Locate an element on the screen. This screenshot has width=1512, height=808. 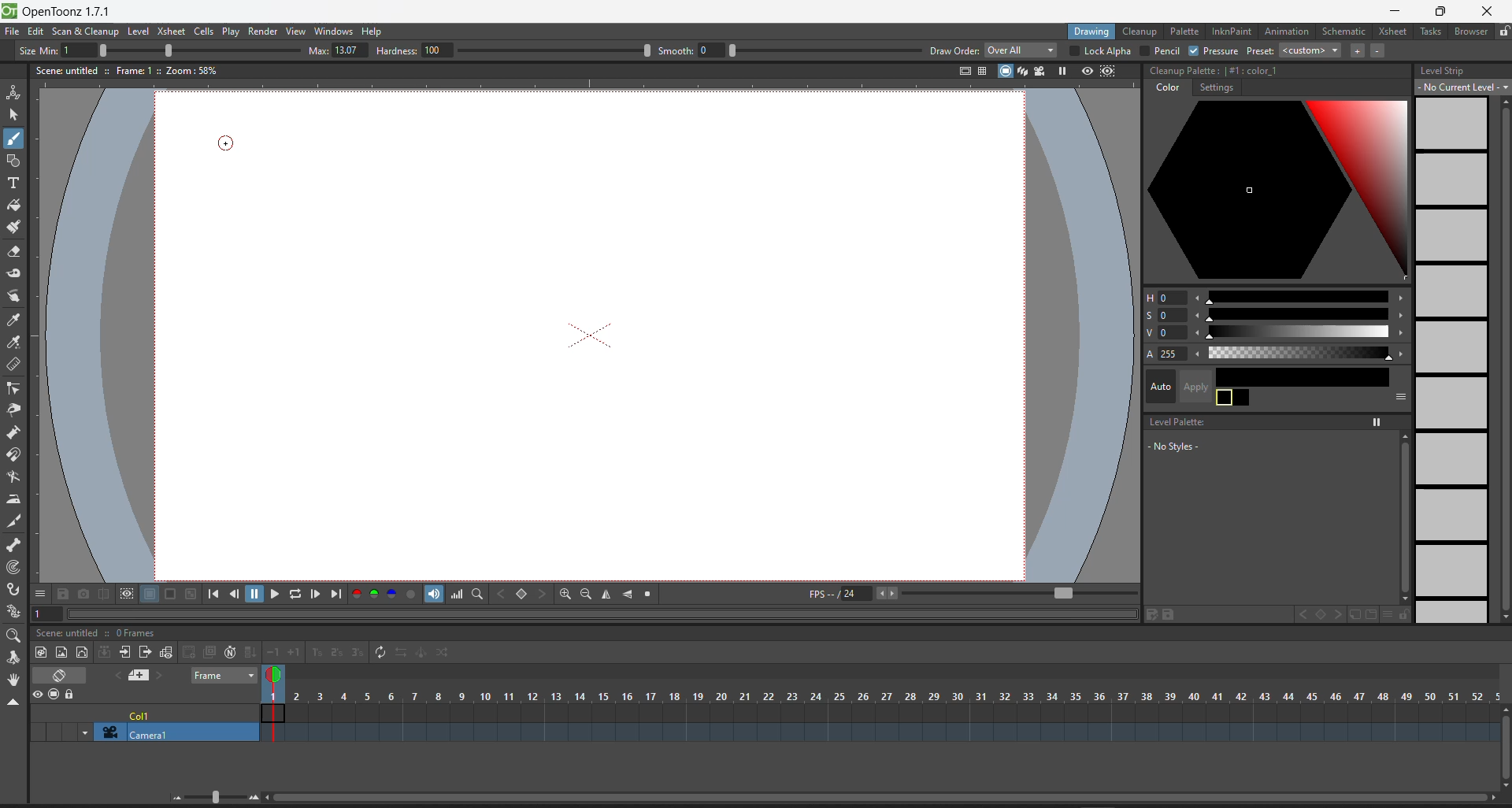
increase step is located at coordinates (293, 653).